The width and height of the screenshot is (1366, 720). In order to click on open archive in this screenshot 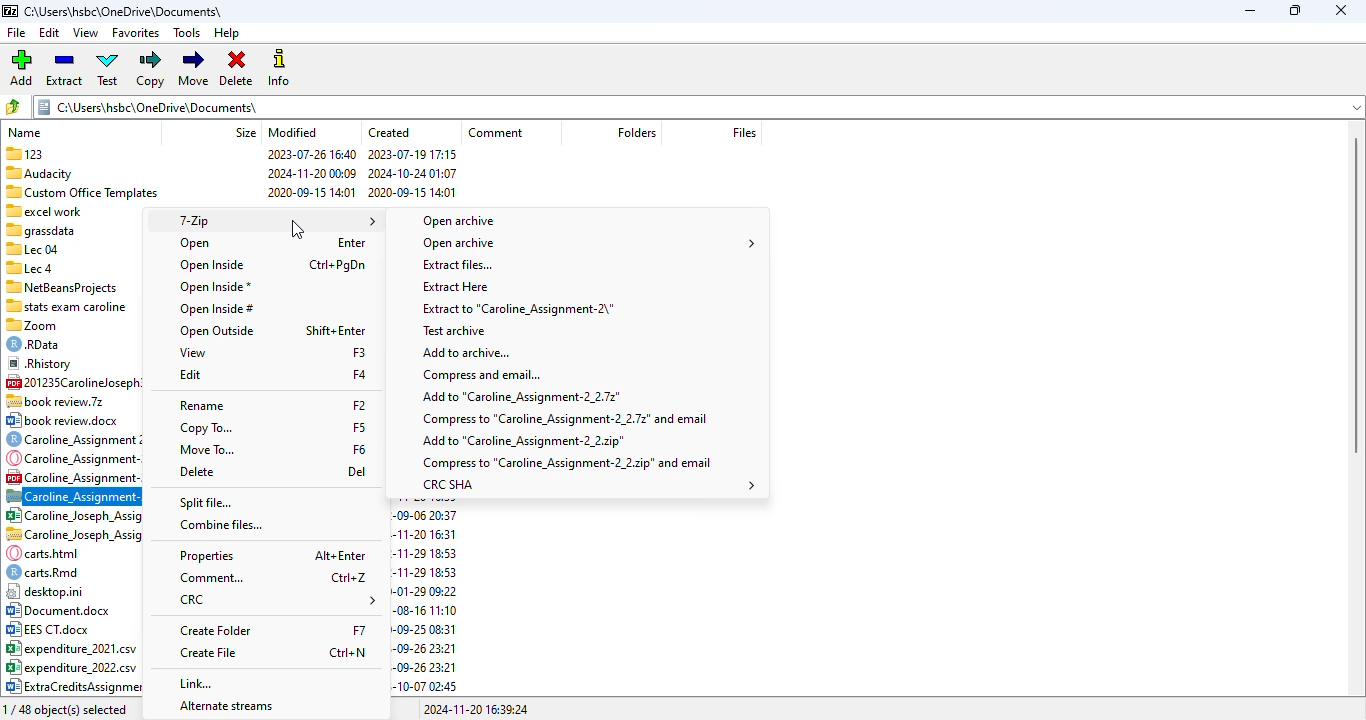, I will do `click(459, 221)`.